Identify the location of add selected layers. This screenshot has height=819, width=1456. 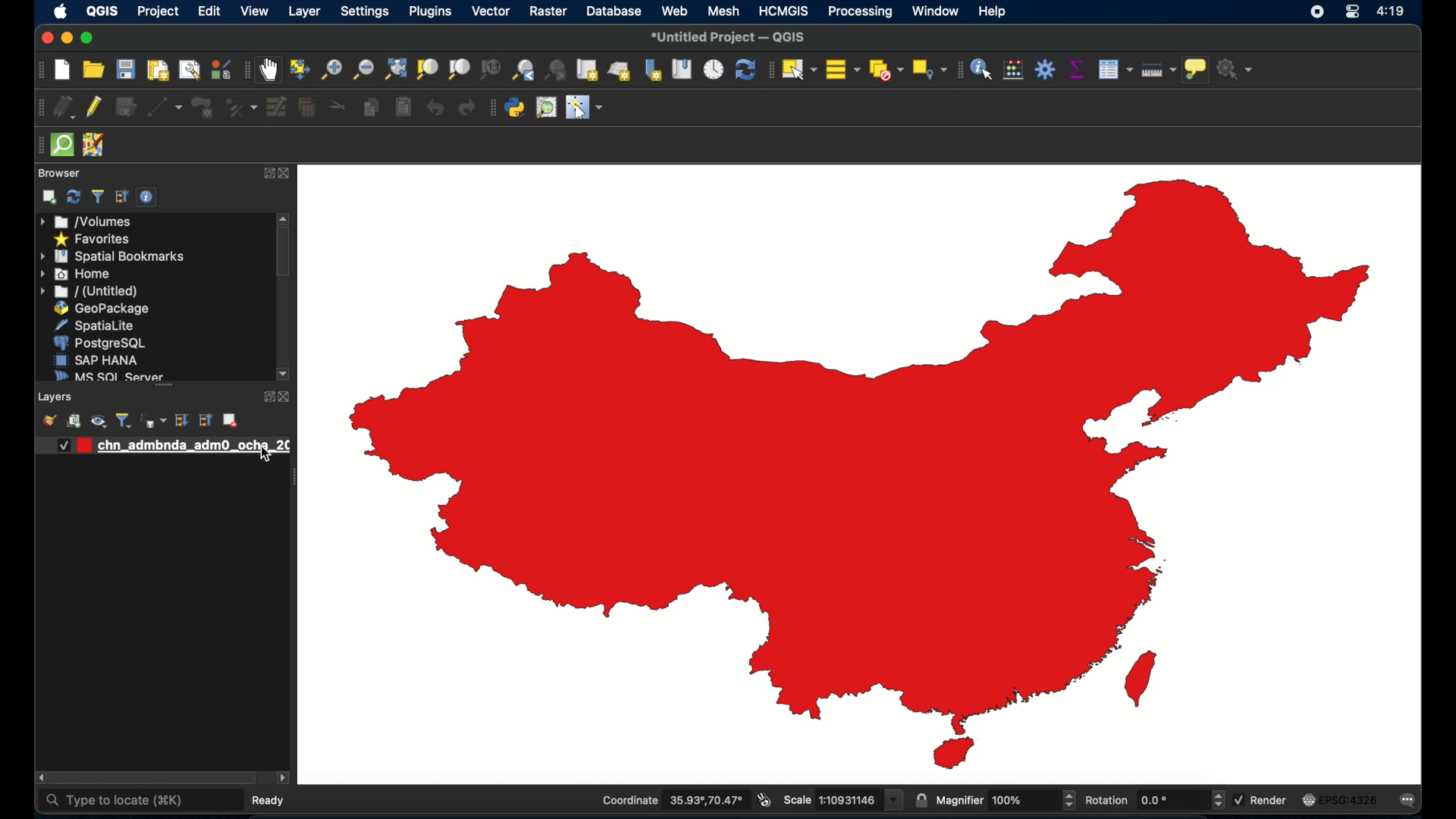
(49, 197).